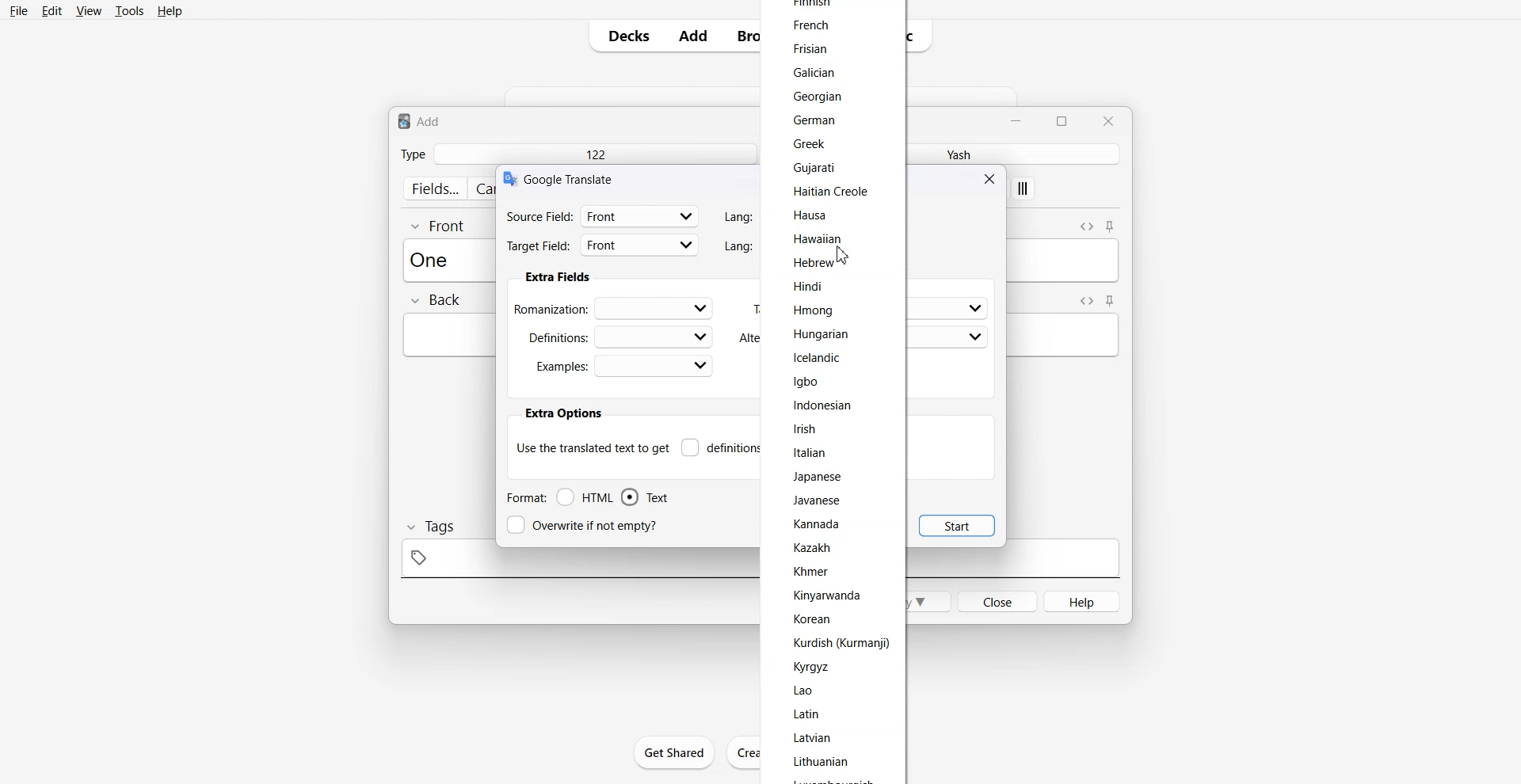 The width and height of the screenshot is (1521, 784). Describe the element at coordinates (585, 497) in the screenshot. I see `HTML` at that location.